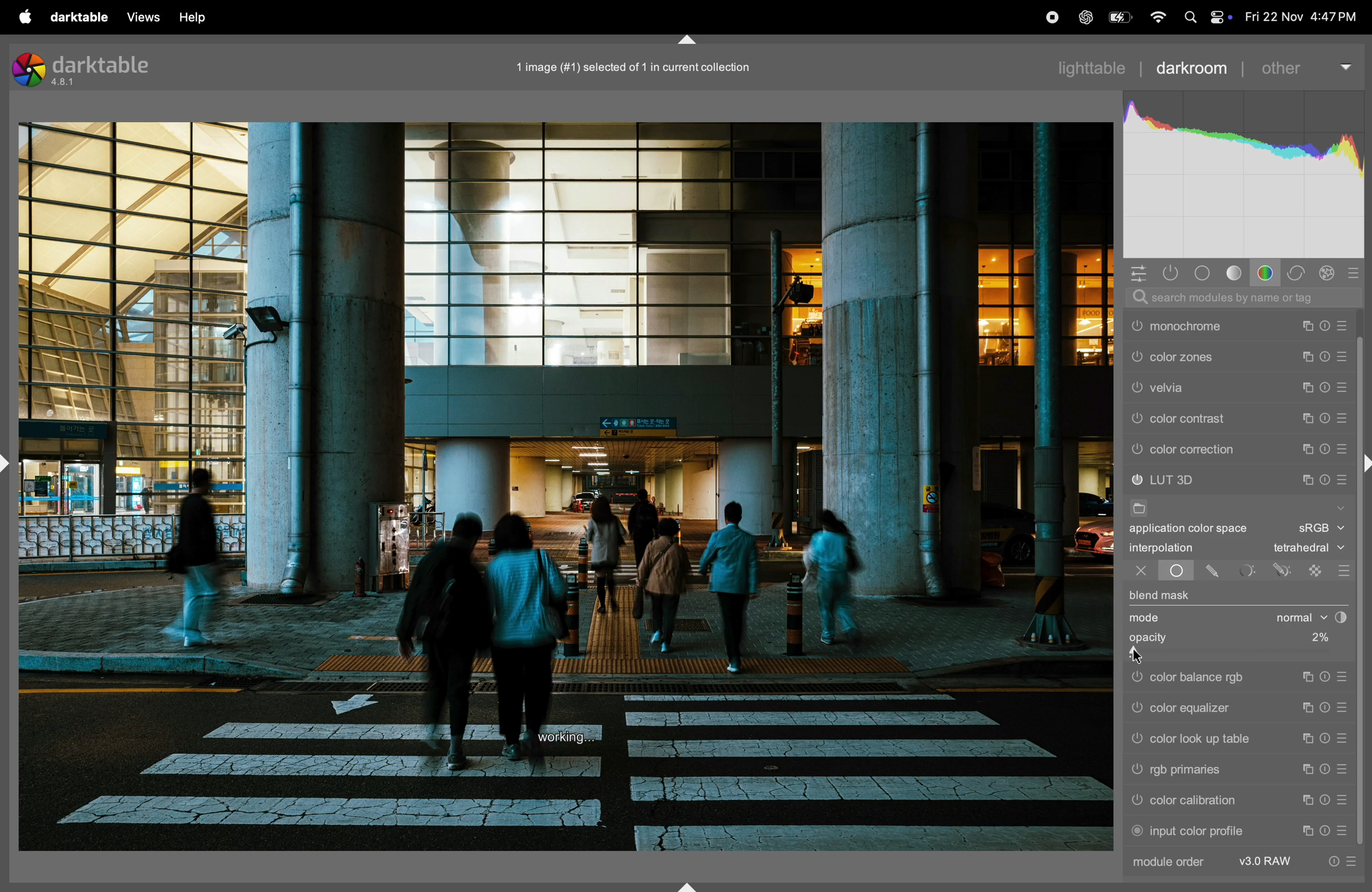 This screenshot has width=1372, height=892. Describe the element at coordinates (1297, 272) in the screenshot. I see `correct` at that location.